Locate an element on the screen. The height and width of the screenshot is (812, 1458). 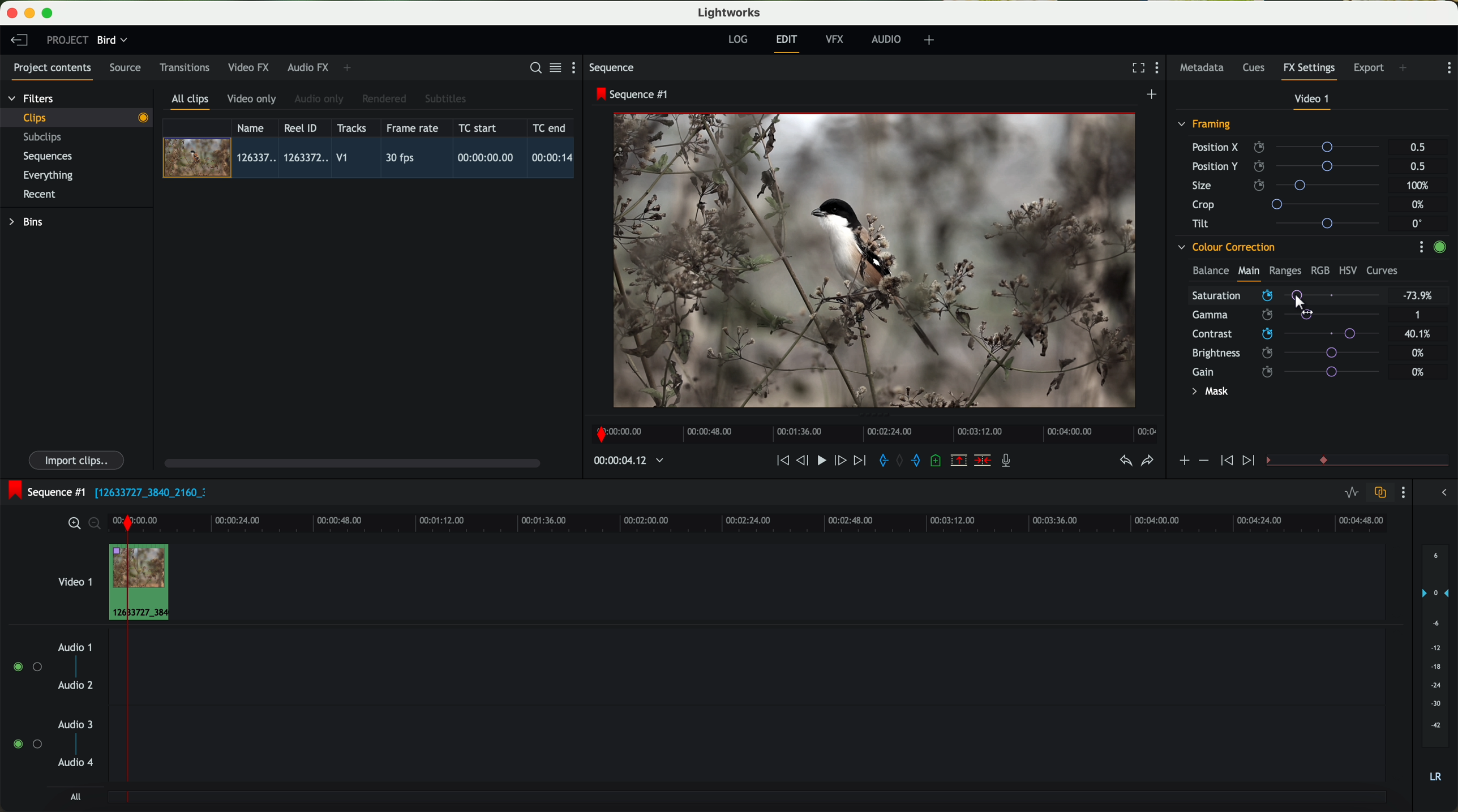
show settings menu is located at coordinates (1402, 492).